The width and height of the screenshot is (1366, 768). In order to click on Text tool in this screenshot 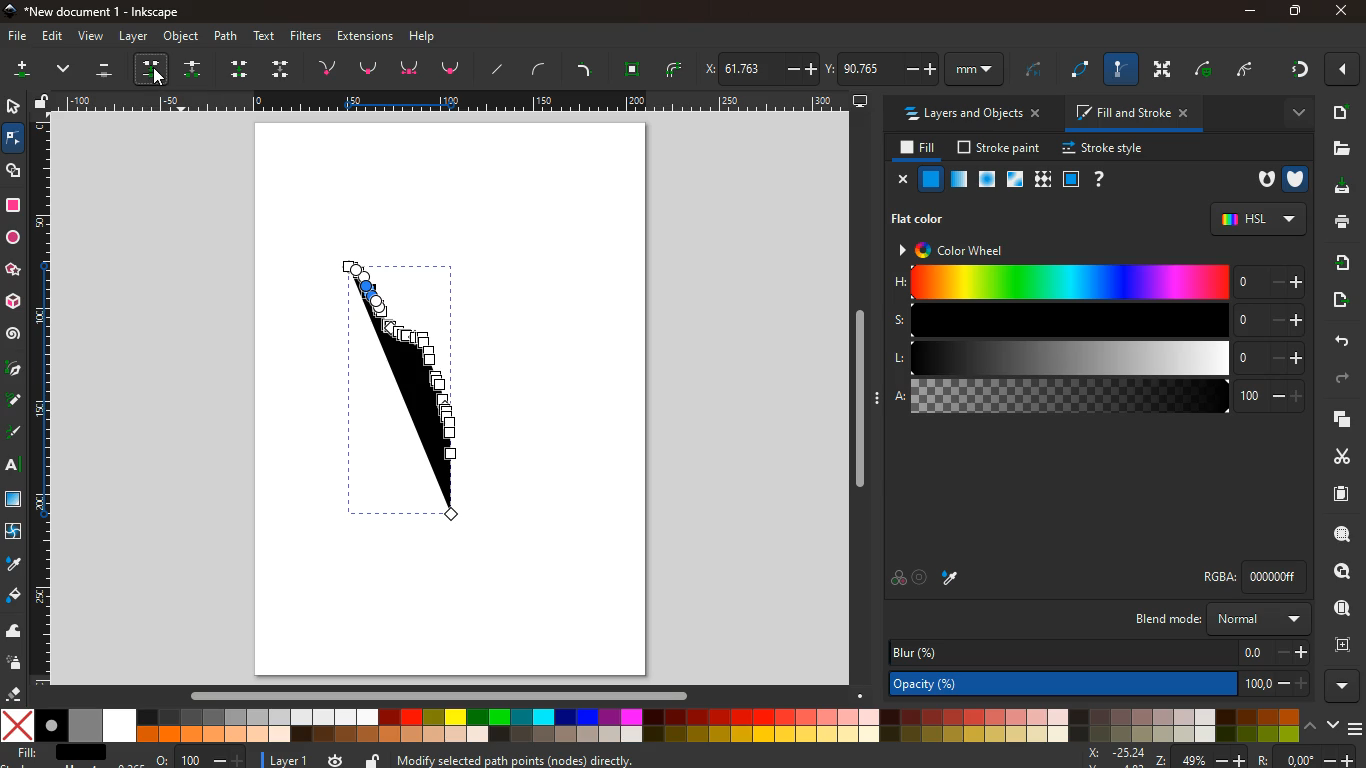, I will do `click(18, 465)`.